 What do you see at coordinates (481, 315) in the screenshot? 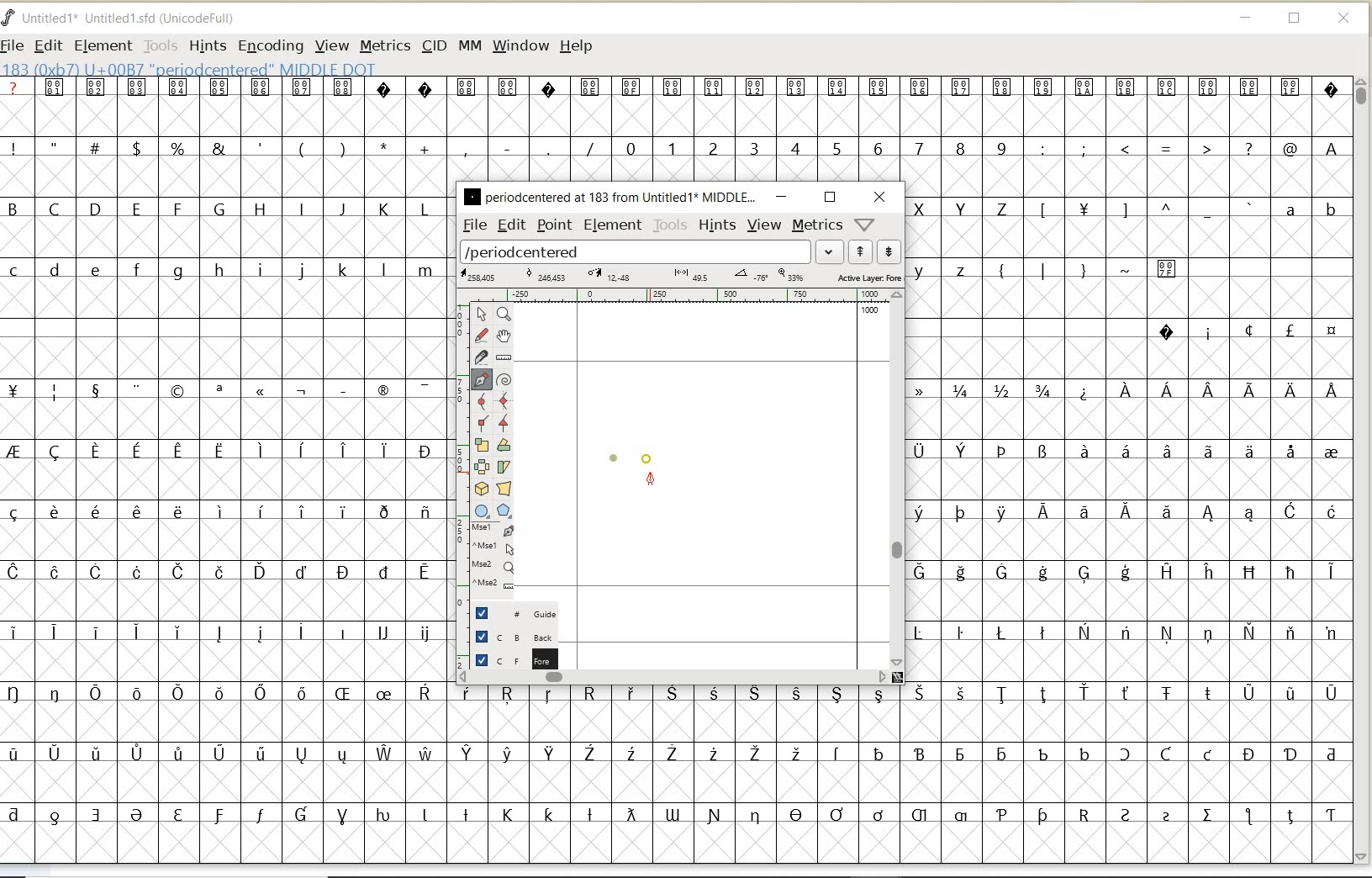
I see `pointer` at bounding box center [481, 315].